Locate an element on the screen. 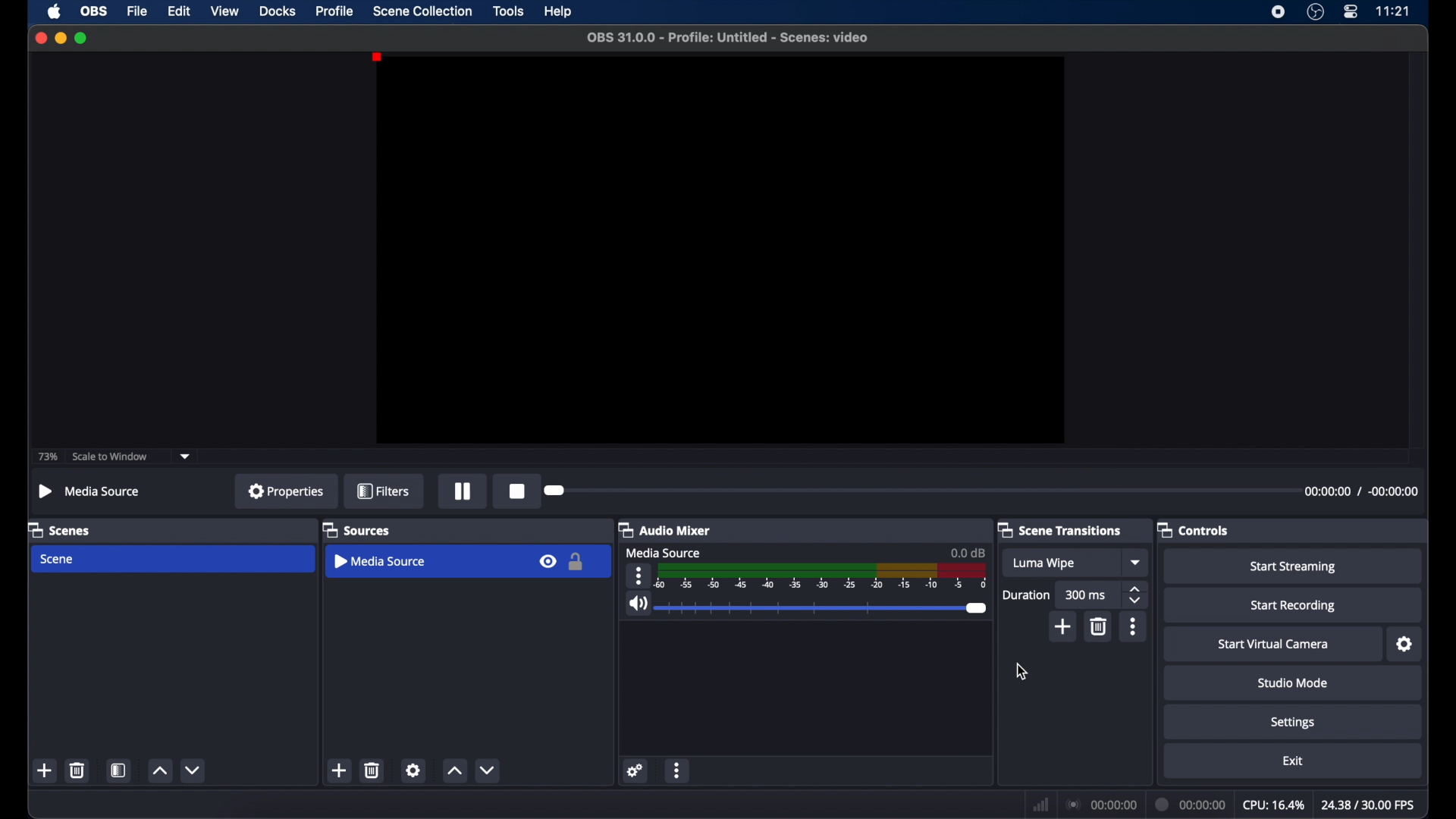 This screenshot has width=1456, height=819. 73% is located at coordinates (47, 457).